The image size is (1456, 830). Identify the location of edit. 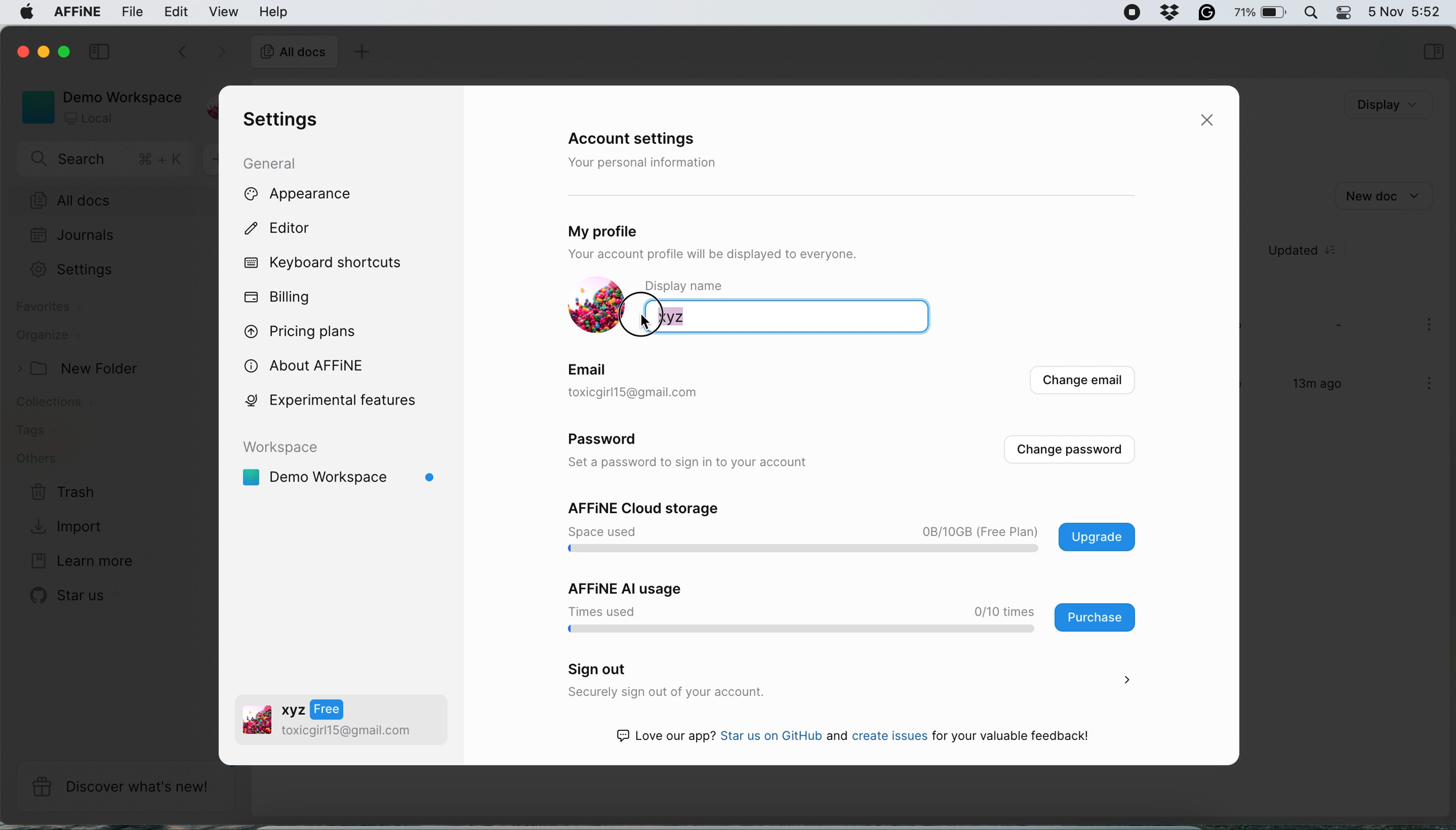
(177, 11).